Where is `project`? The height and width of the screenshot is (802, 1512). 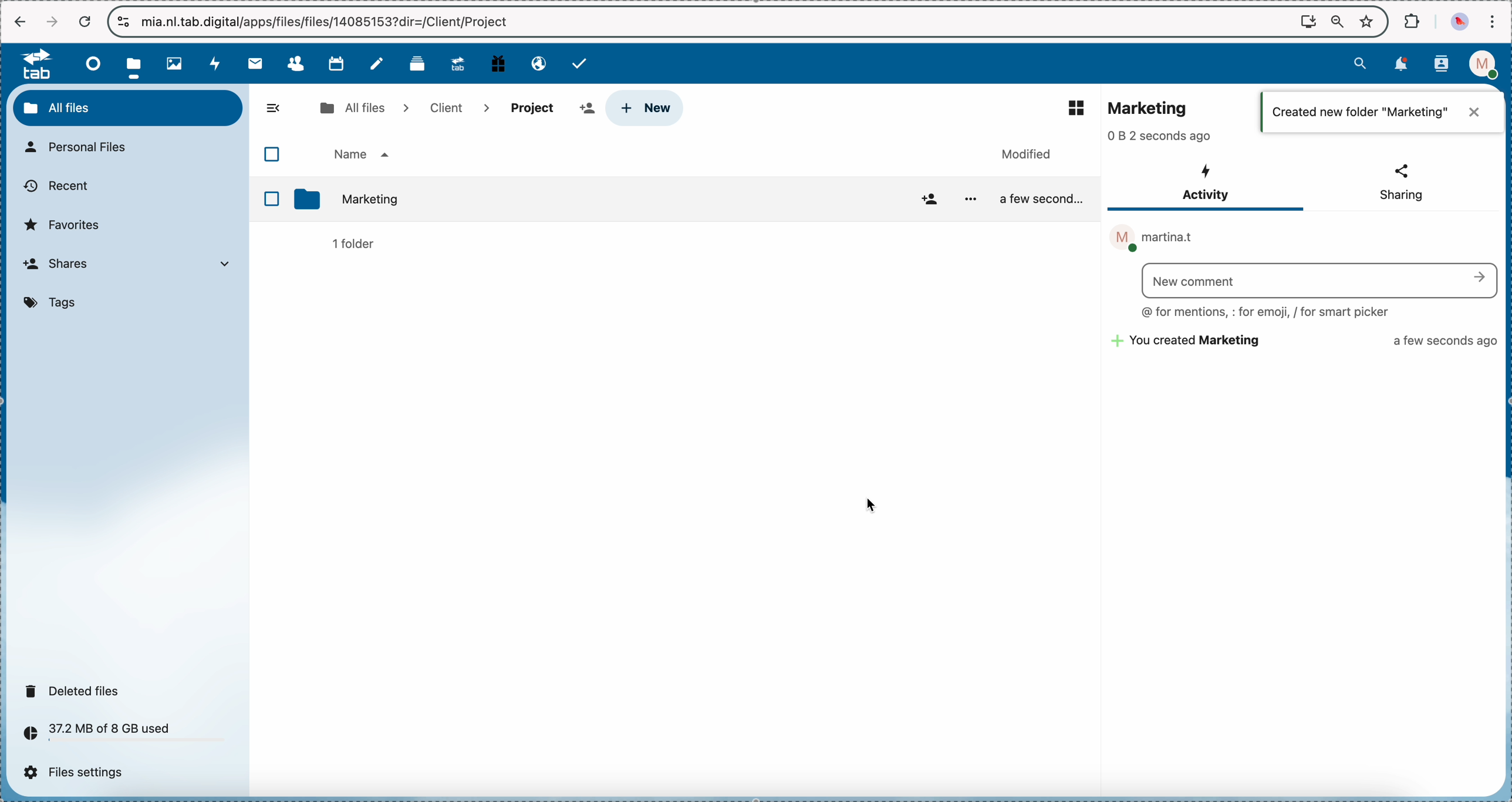 project is located at coordinates (534, 107).